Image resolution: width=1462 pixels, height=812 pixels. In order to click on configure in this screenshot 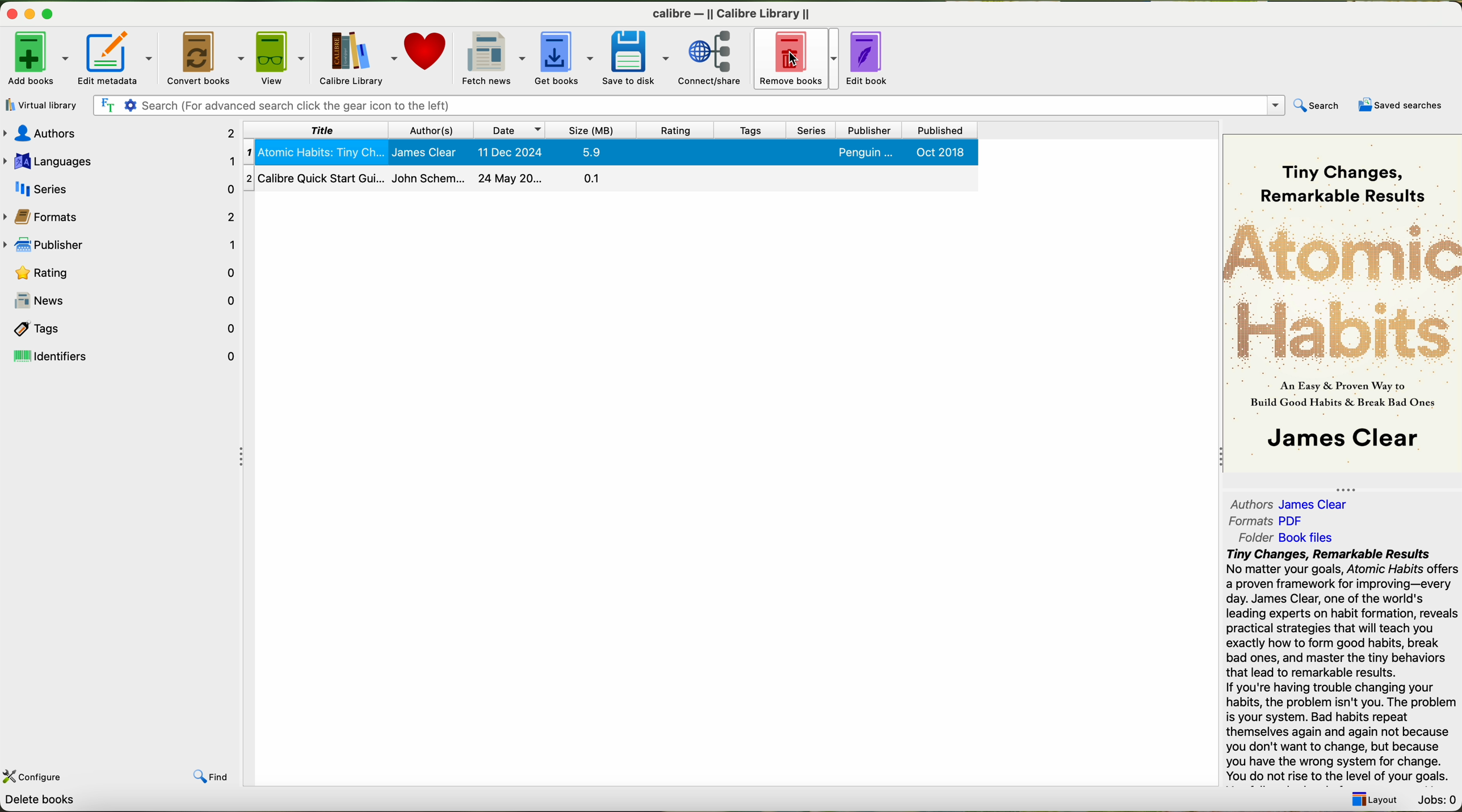, I will do `click(36, 777)`.